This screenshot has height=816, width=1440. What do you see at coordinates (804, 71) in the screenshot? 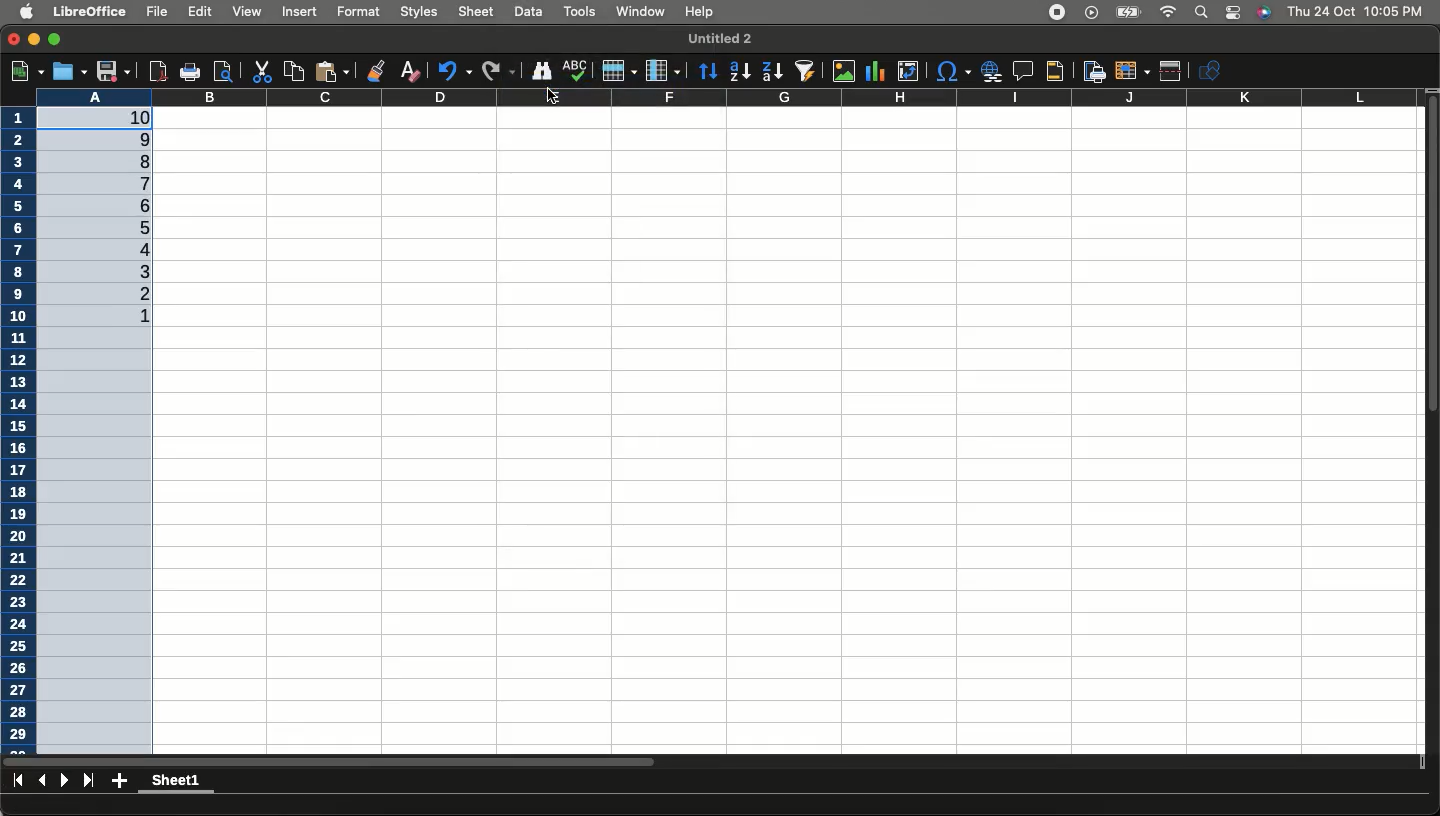
I see `Autofilter` at bounding box center [804, 71].